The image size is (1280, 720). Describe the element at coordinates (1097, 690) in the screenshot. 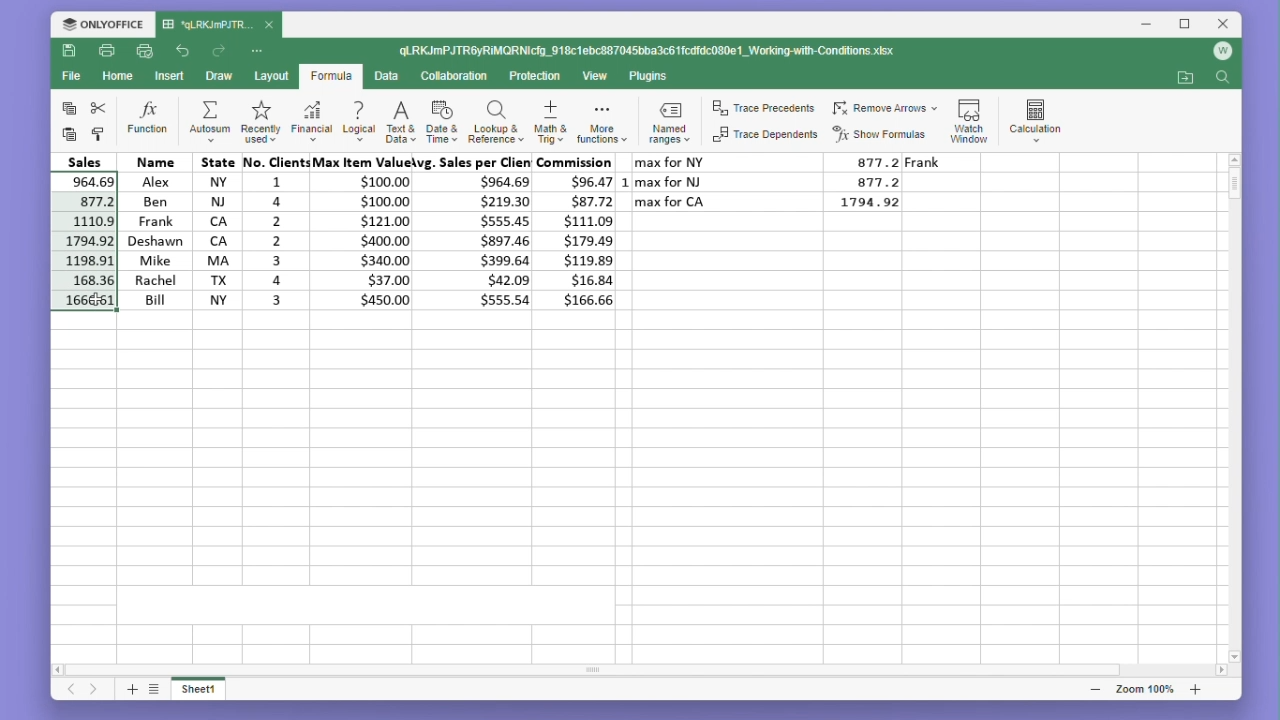

I see `zoom out` at that location.